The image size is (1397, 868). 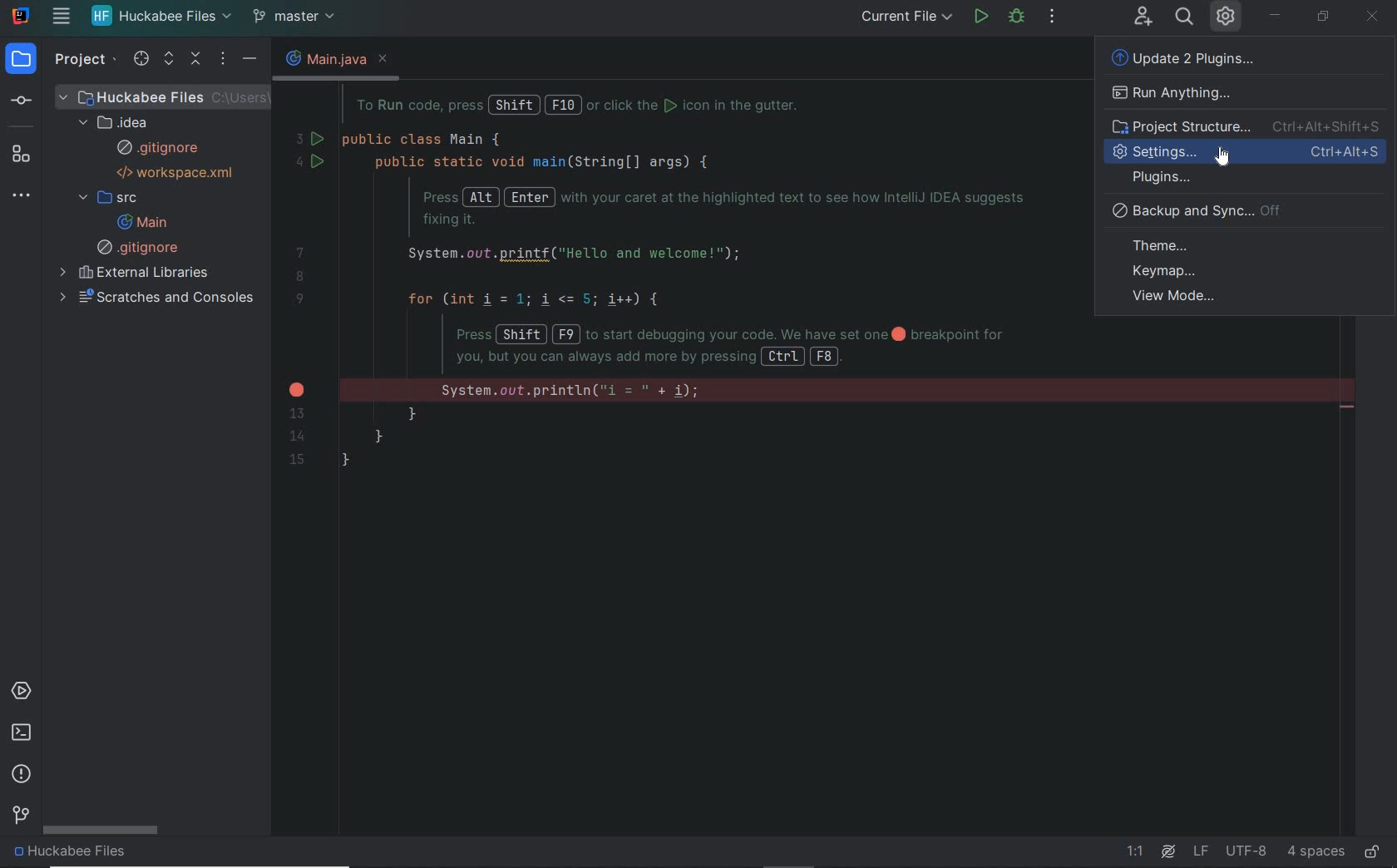 I want to click on collapse all, so click(x=196, y=60).